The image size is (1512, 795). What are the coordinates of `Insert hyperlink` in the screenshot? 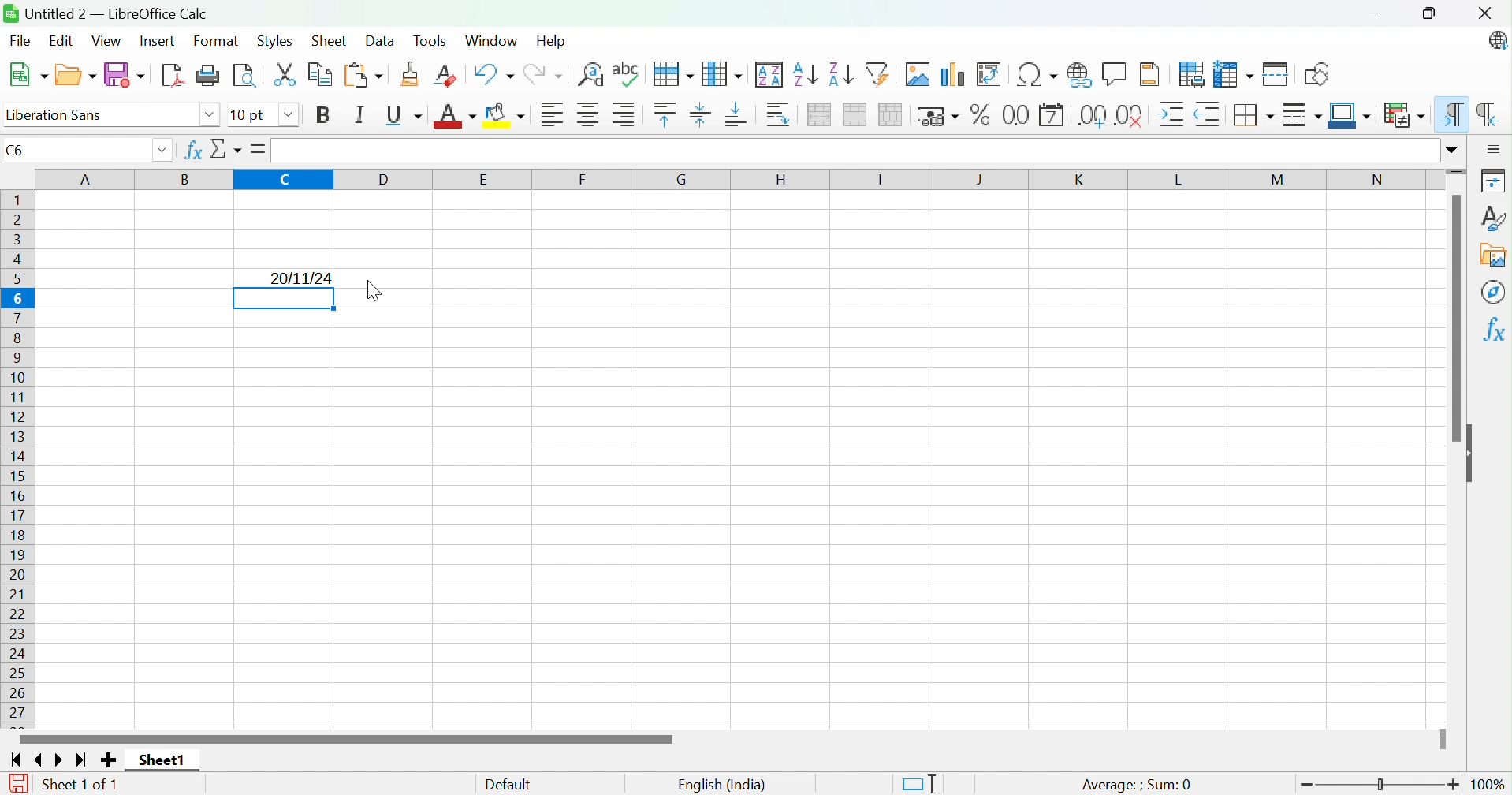 It's located at (1078, 73).